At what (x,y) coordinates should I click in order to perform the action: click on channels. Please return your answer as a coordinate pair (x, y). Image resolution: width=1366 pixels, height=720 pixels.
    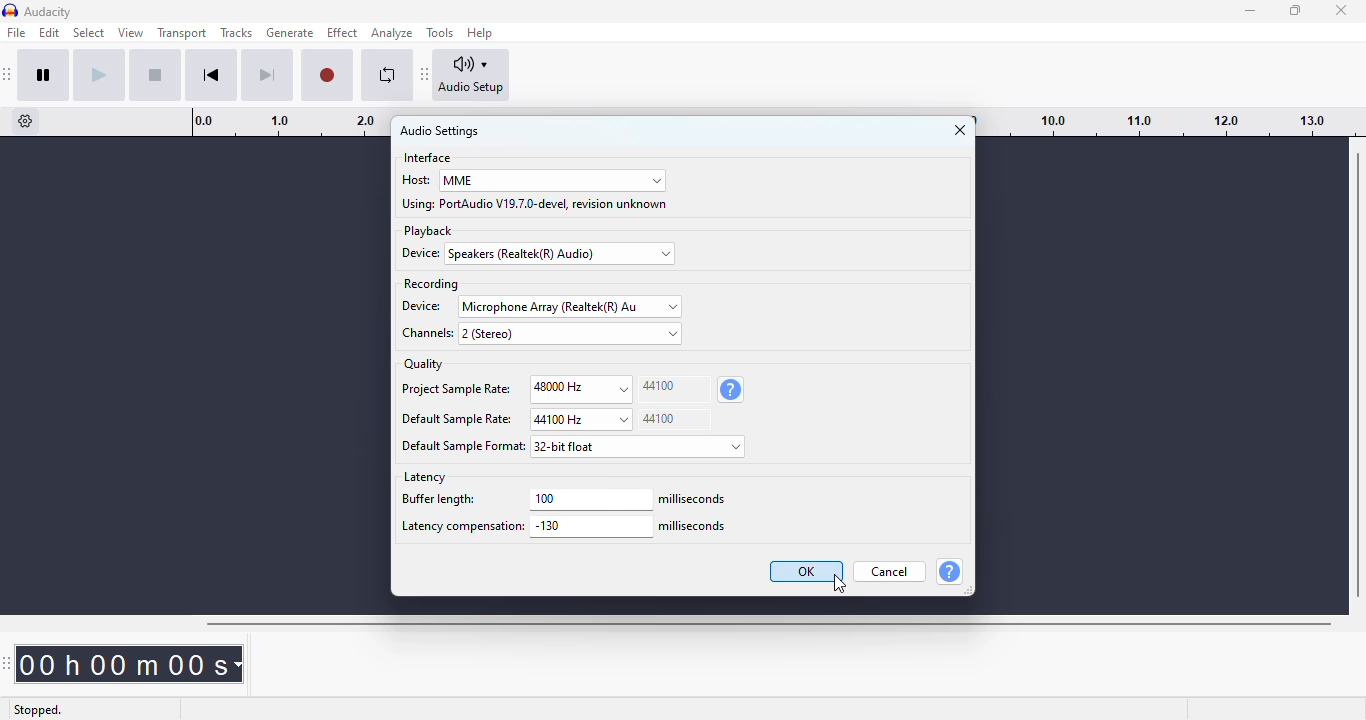
    Looking at the image, I should click on (425, 334).